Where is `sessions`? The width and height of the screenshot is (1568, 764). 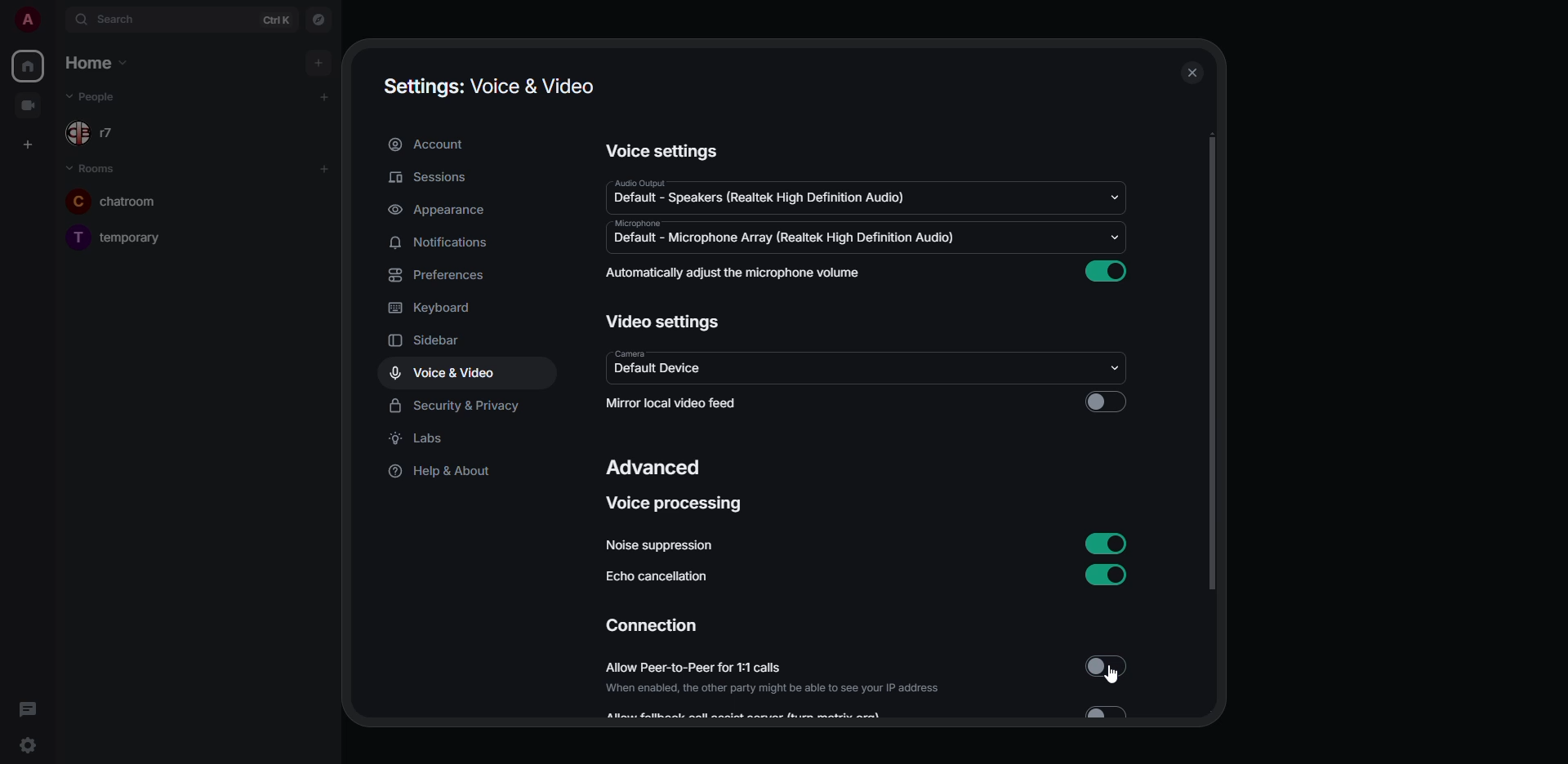
sessions is located at coordinates (434, 178).